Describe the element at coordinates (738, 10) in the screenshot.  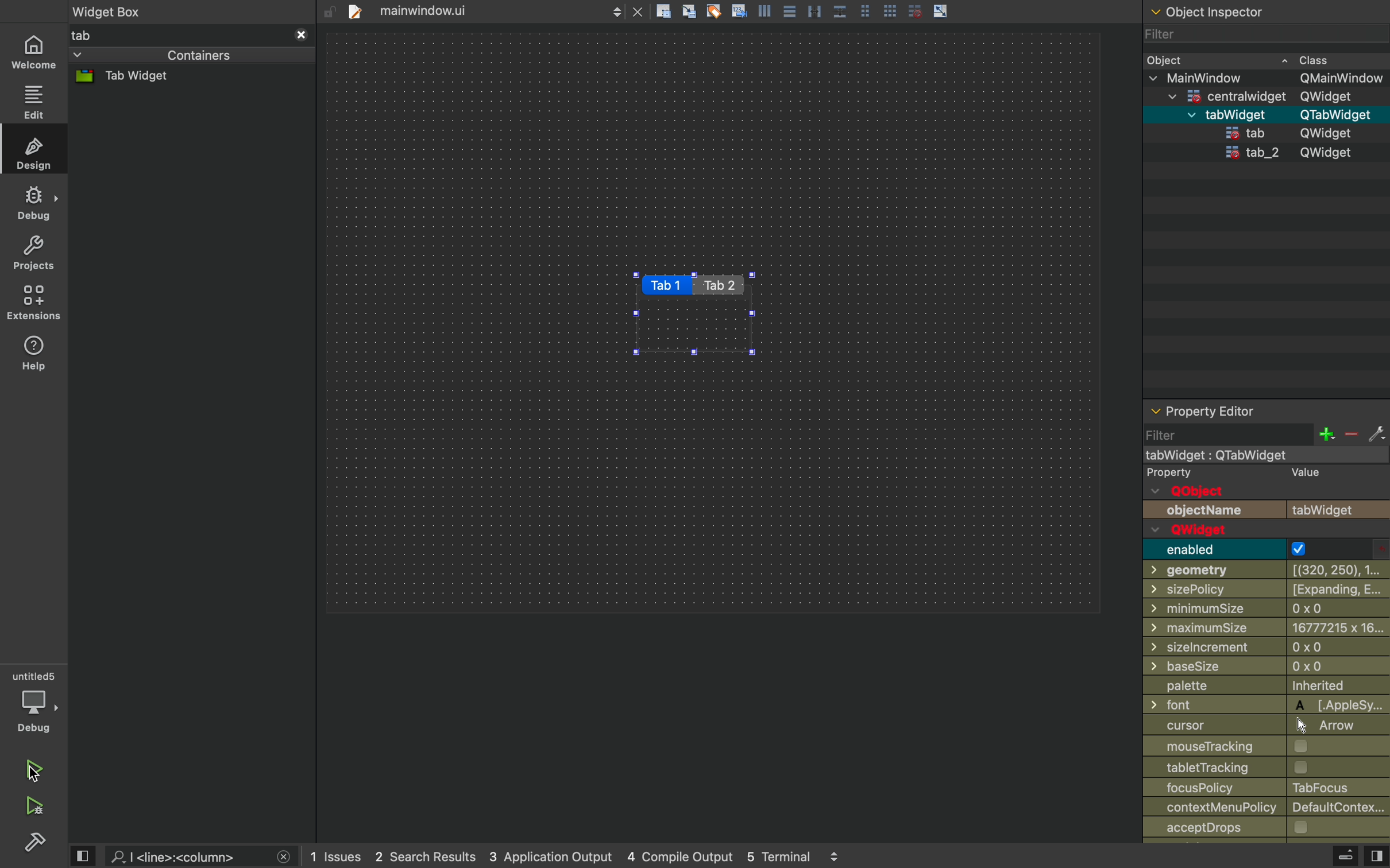
I see `insert text ` at that location.